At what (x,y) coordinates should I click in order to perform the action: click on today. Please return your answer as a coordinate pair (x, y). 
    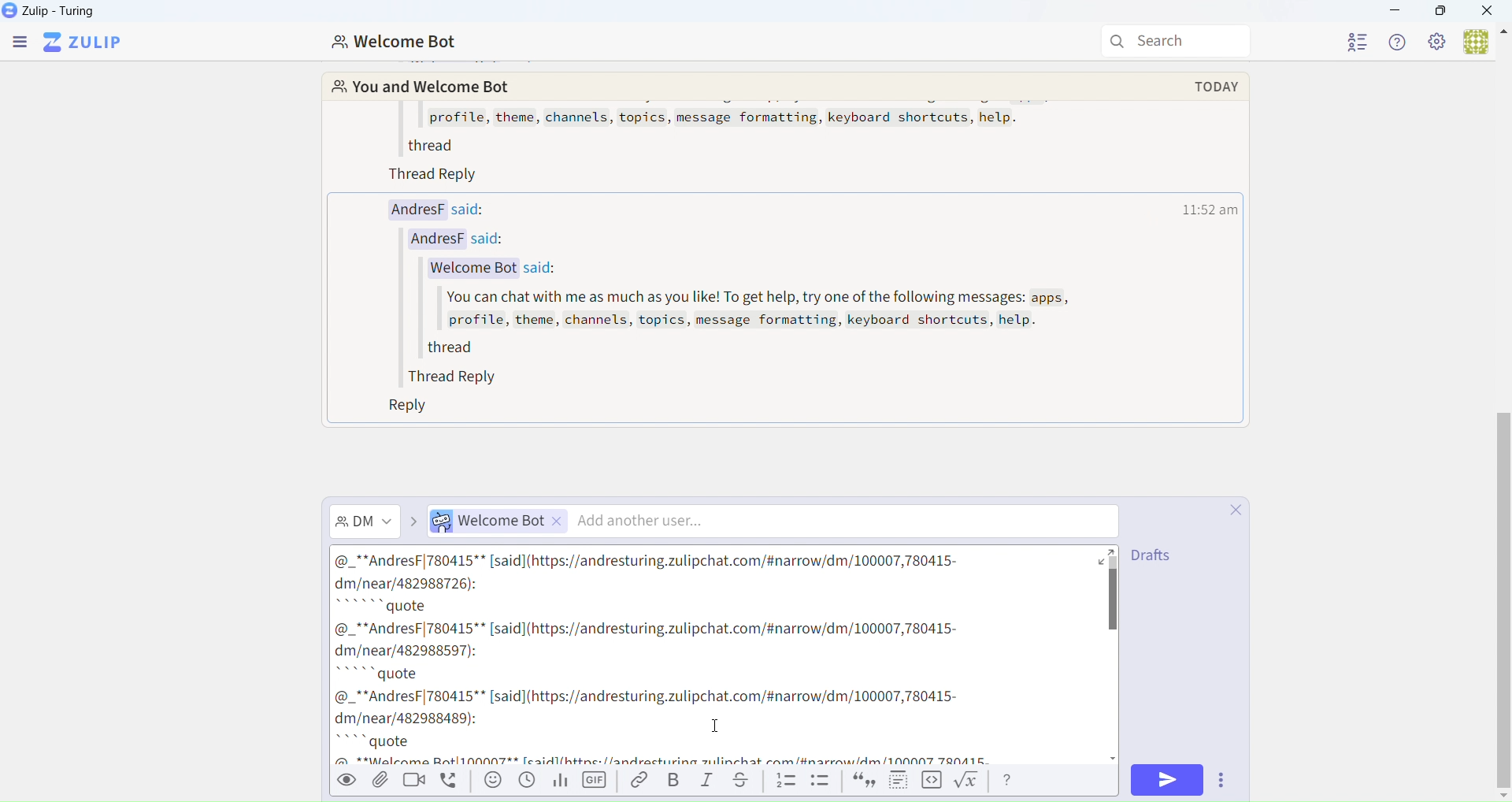
    Looking at the image, I should click on (1217, 85).